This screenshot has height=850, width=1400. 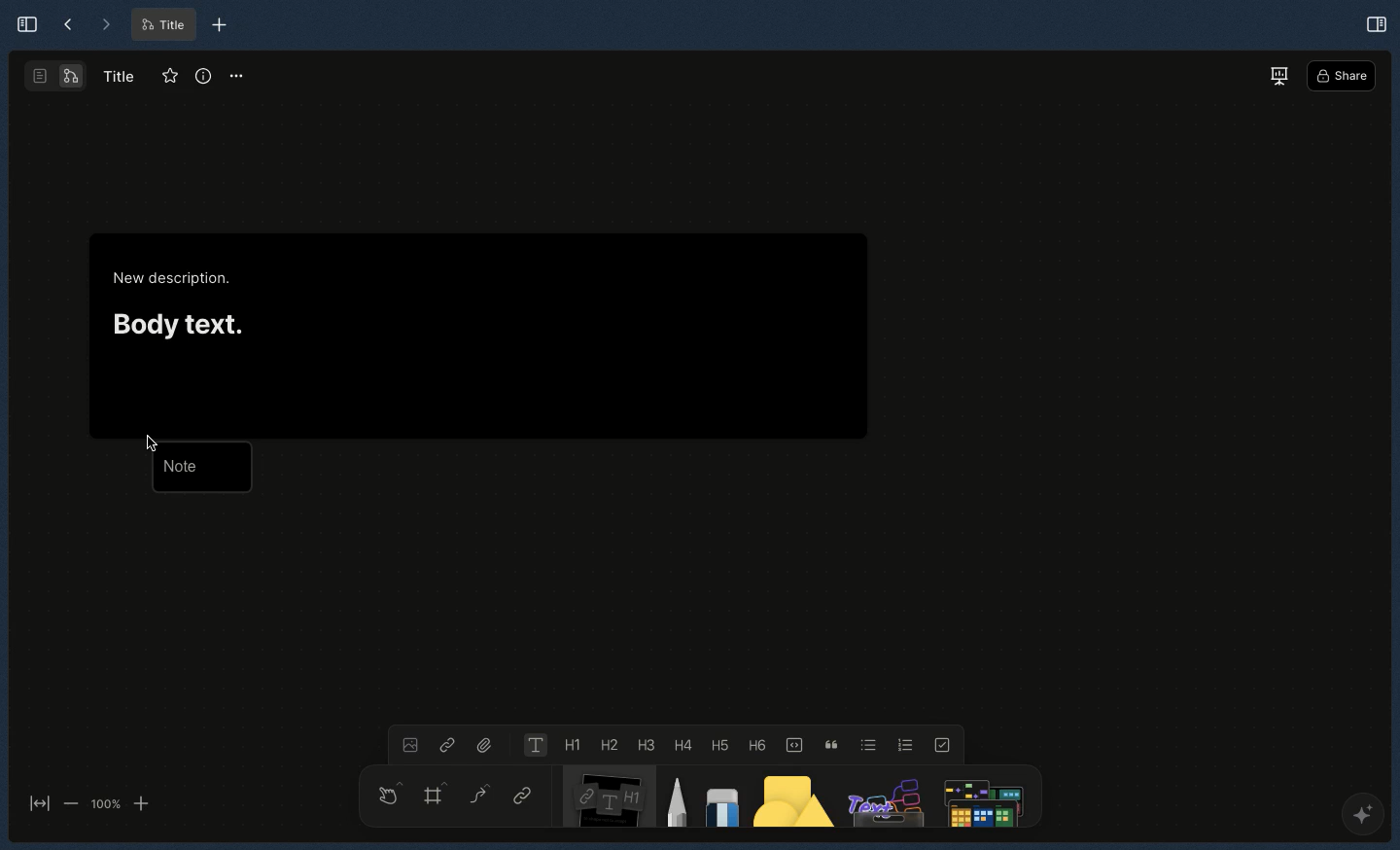 What do you see at coordinates (447, 744) in the screenshot?
I see `Link` at bounding box center [447, 744].